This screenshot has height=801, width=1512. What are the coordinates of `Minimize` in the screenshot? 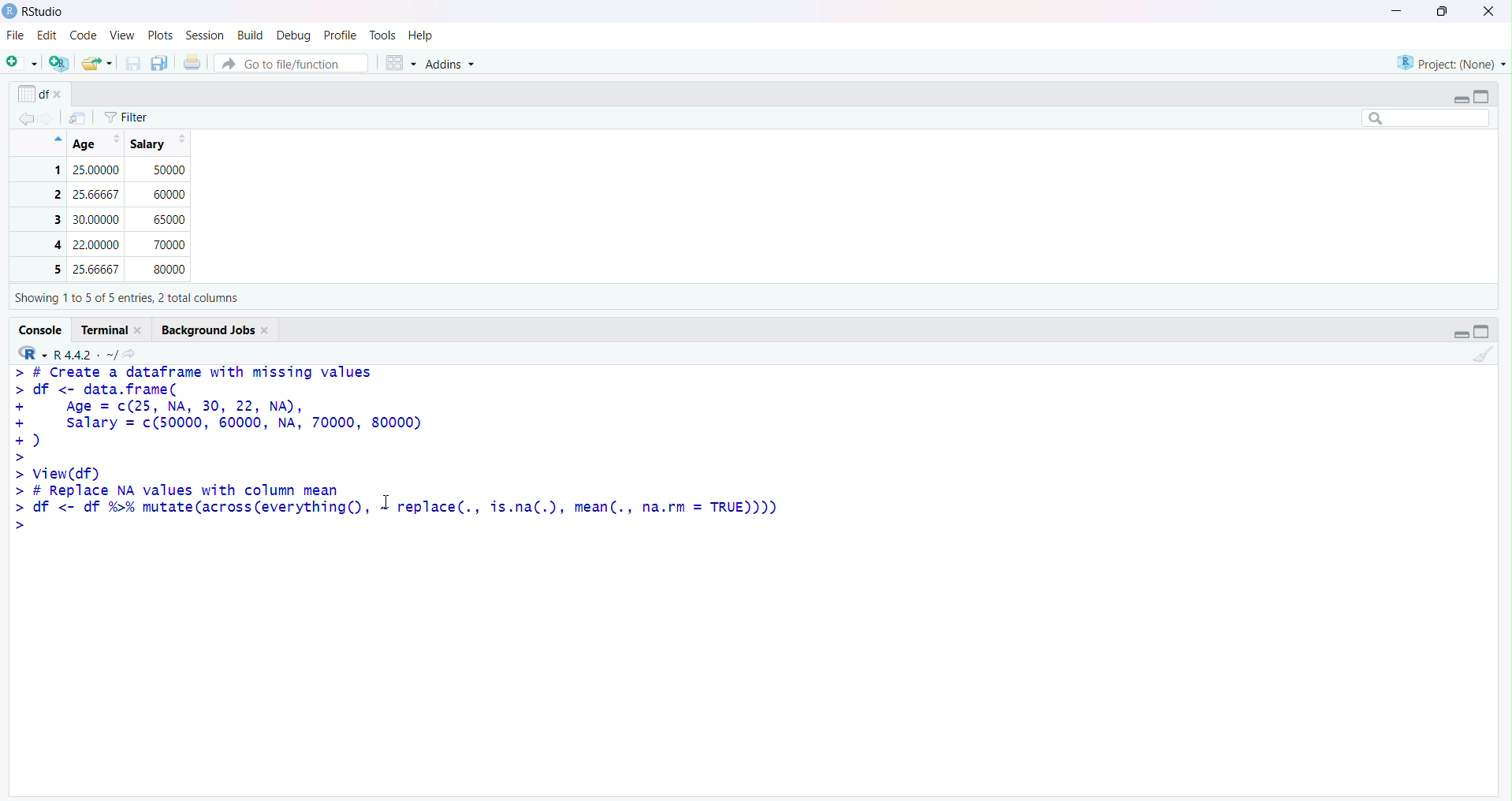 It's located at (1459, 100).